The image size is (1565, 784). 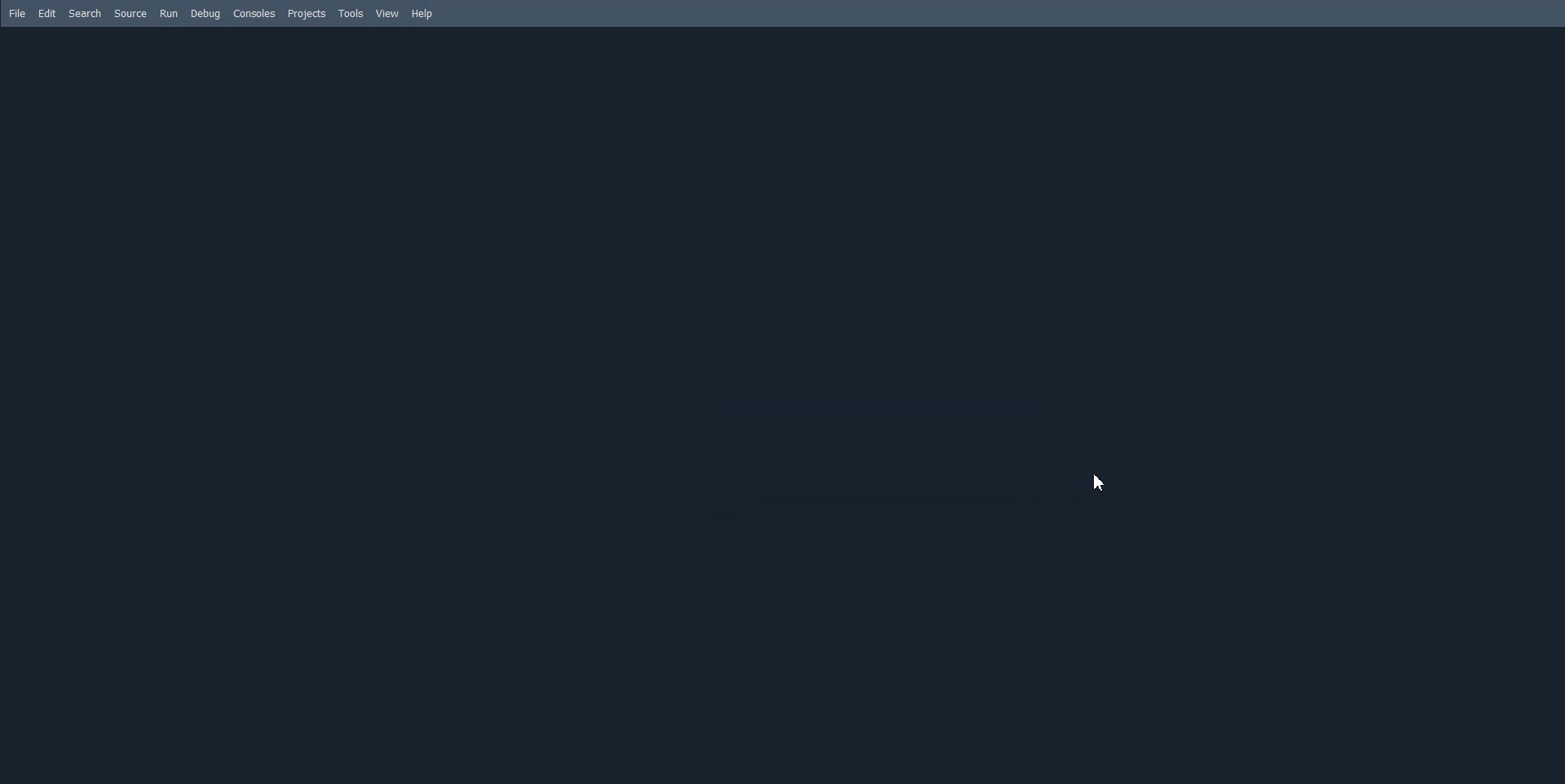 I want to click on Run, so click(x=169, y=14).